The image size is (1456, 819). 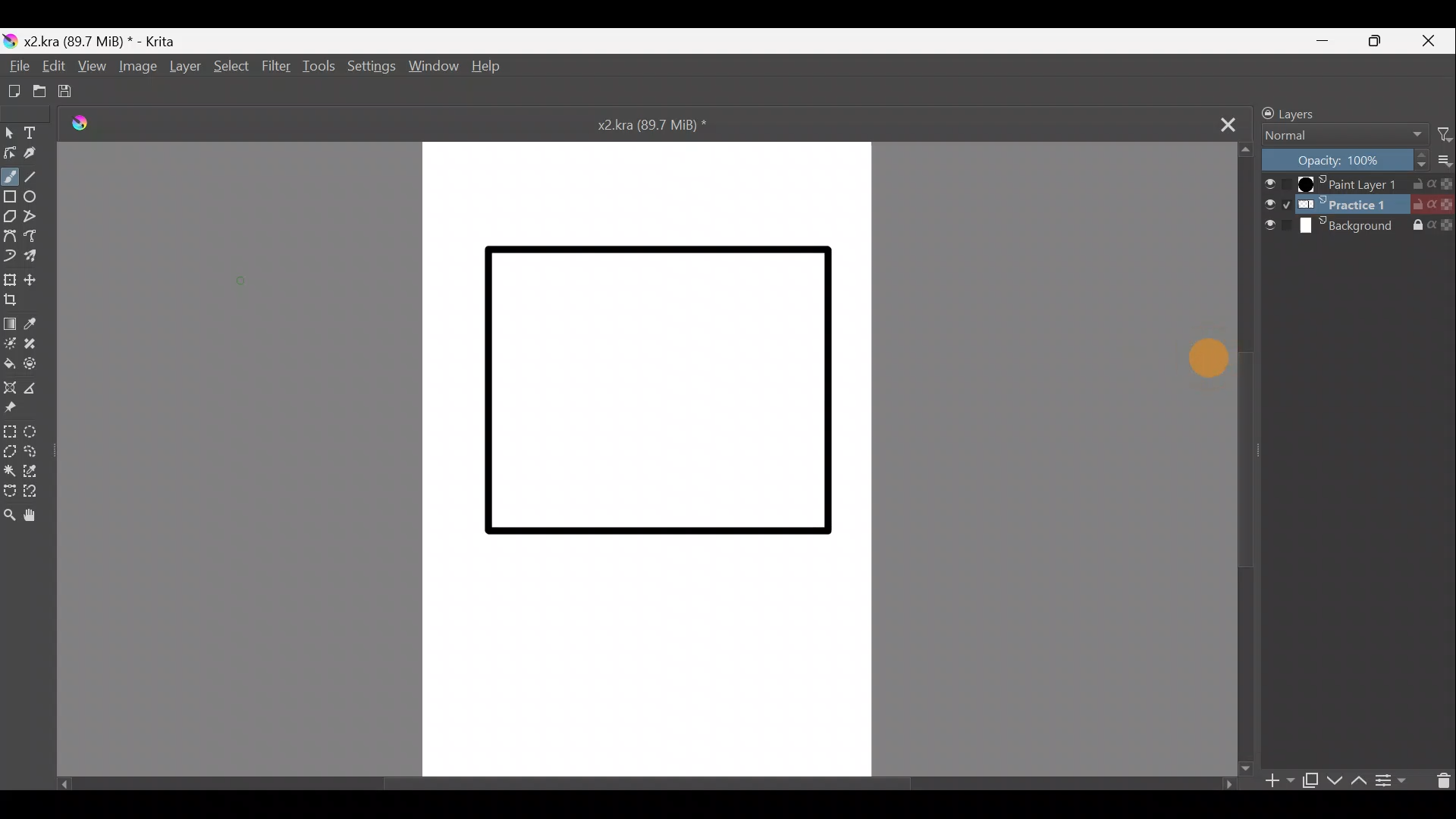 What do you see at coordinates (37, 324) in the screenshot?
I see `Sample a colour from image/current layer` at bounding box center [37, 324].